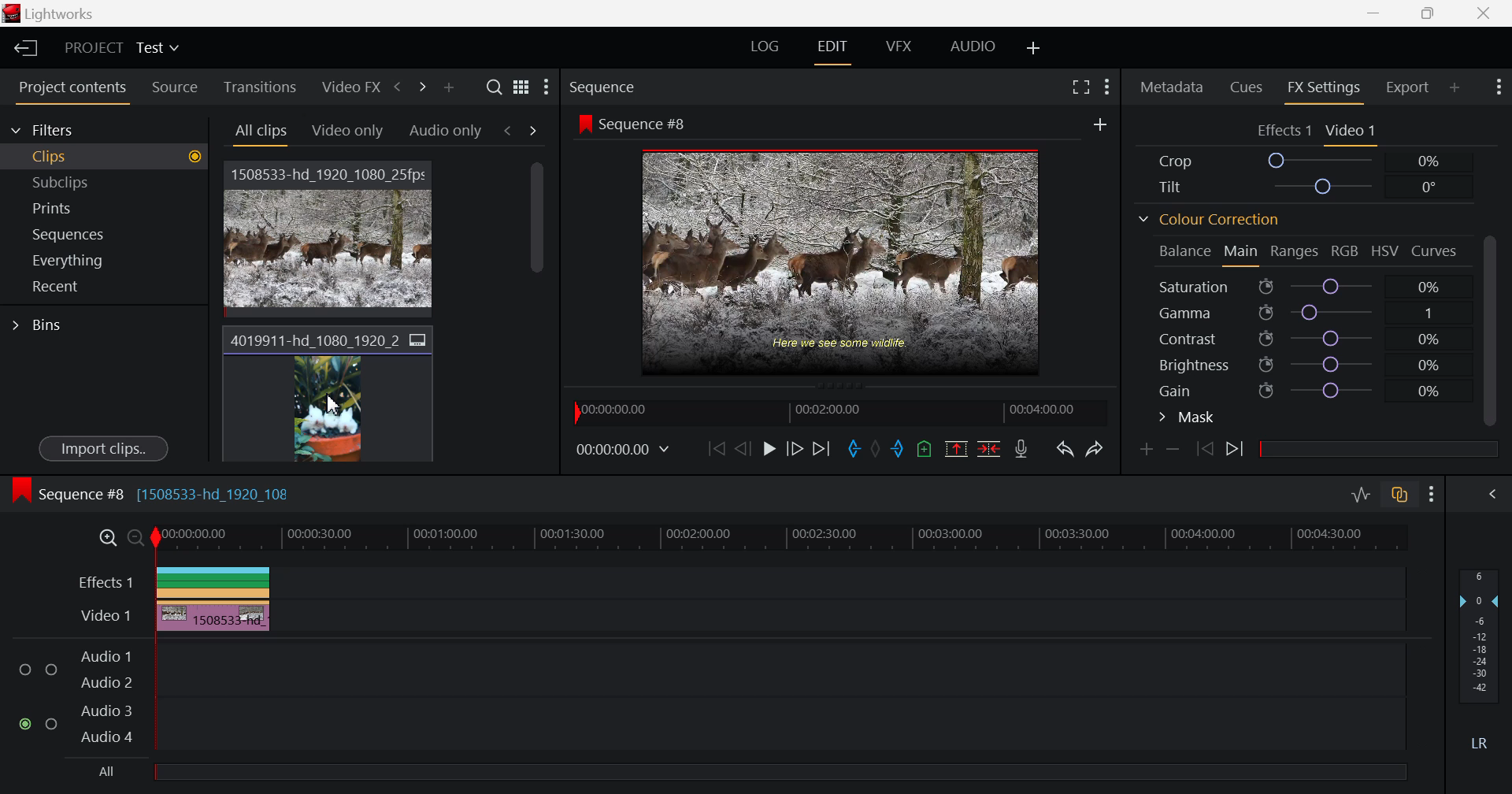  Describe the element at coordinates (108, 156) in the screenshot. I see `Clips Tab Open` at that location.